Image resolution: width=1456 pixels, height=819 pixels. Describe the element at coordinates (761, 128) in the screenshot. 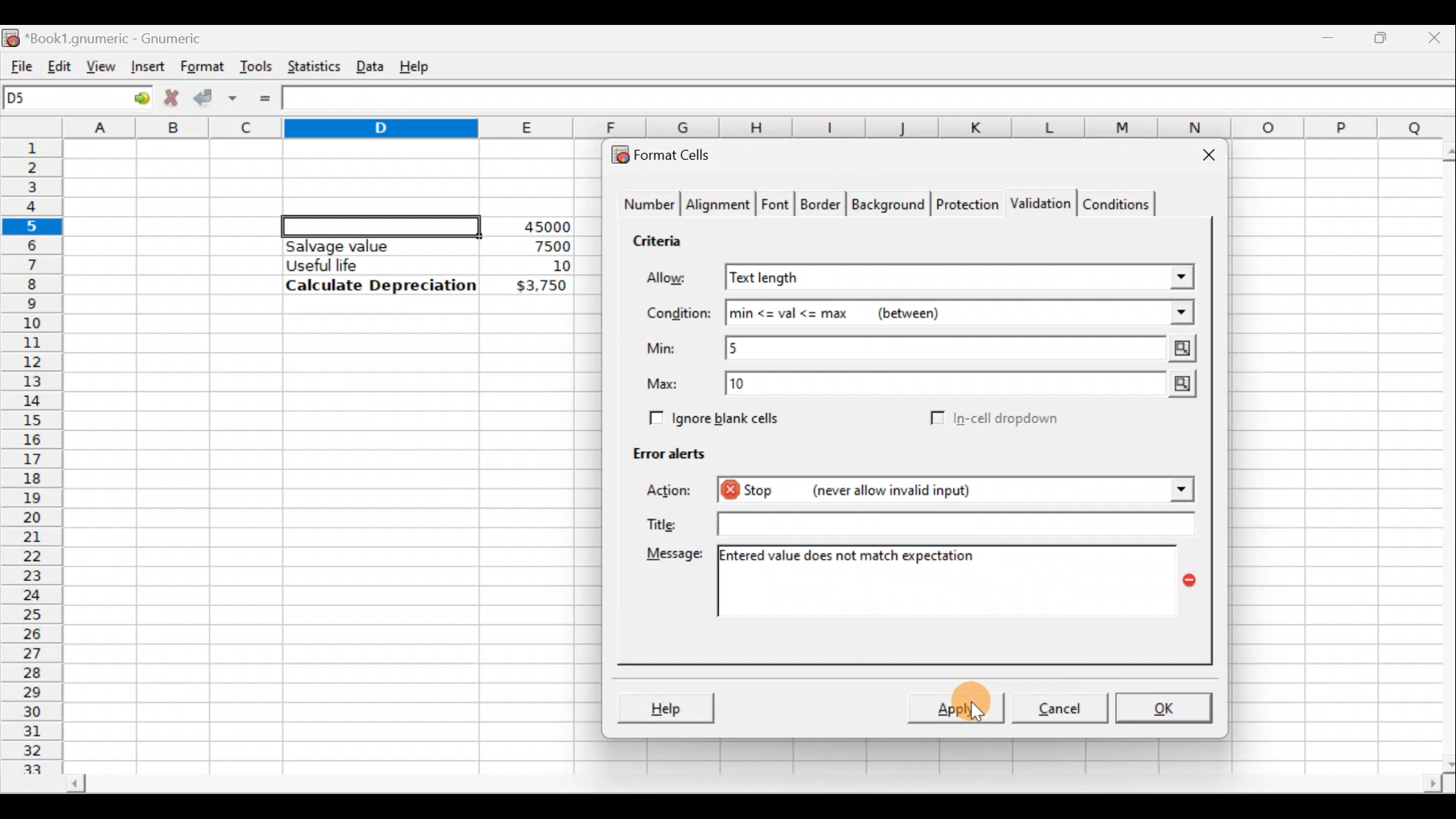

I see `Columns` at that location.